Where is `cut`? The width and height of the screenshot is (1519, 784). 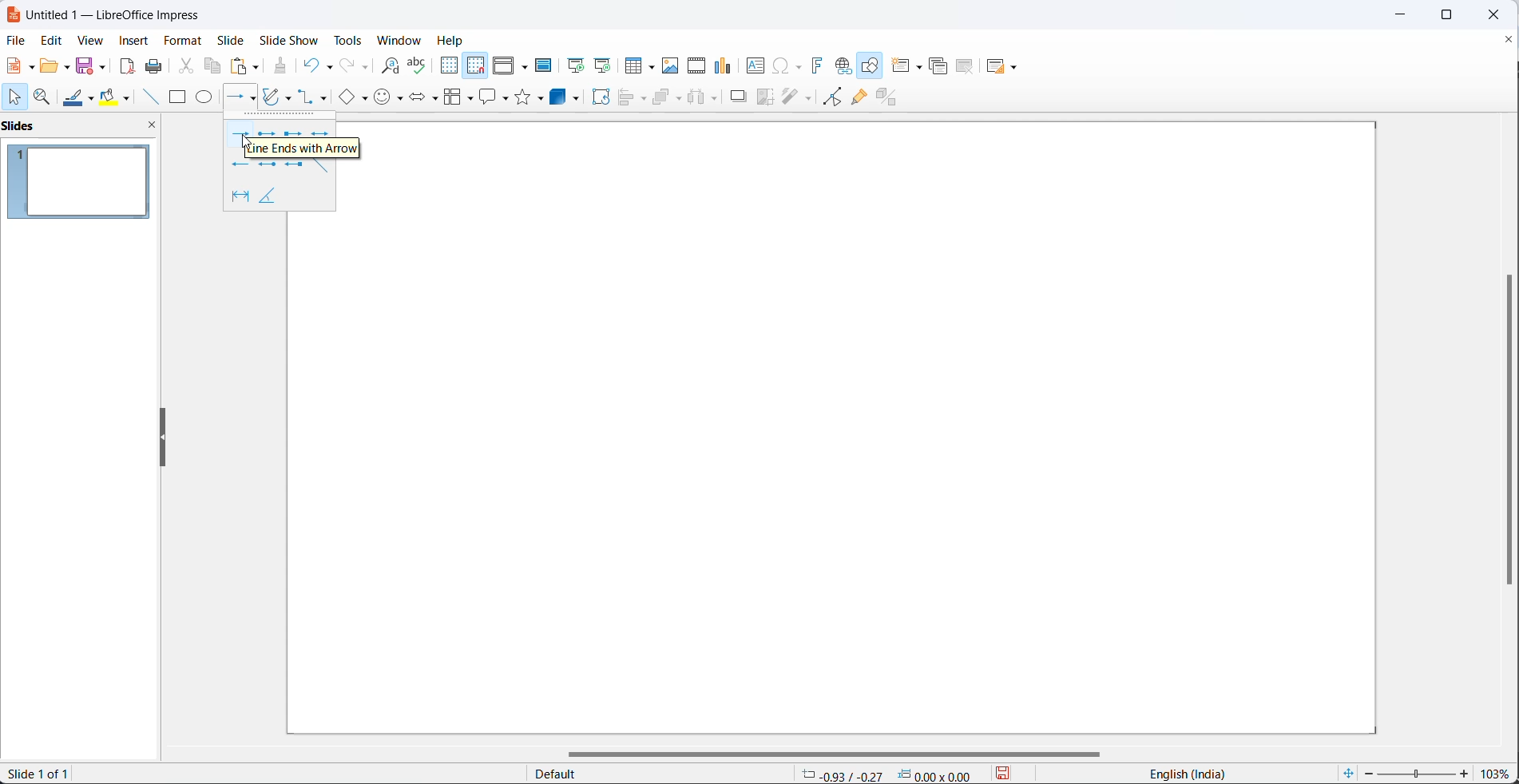
cut is located at coordinates (185, 65).